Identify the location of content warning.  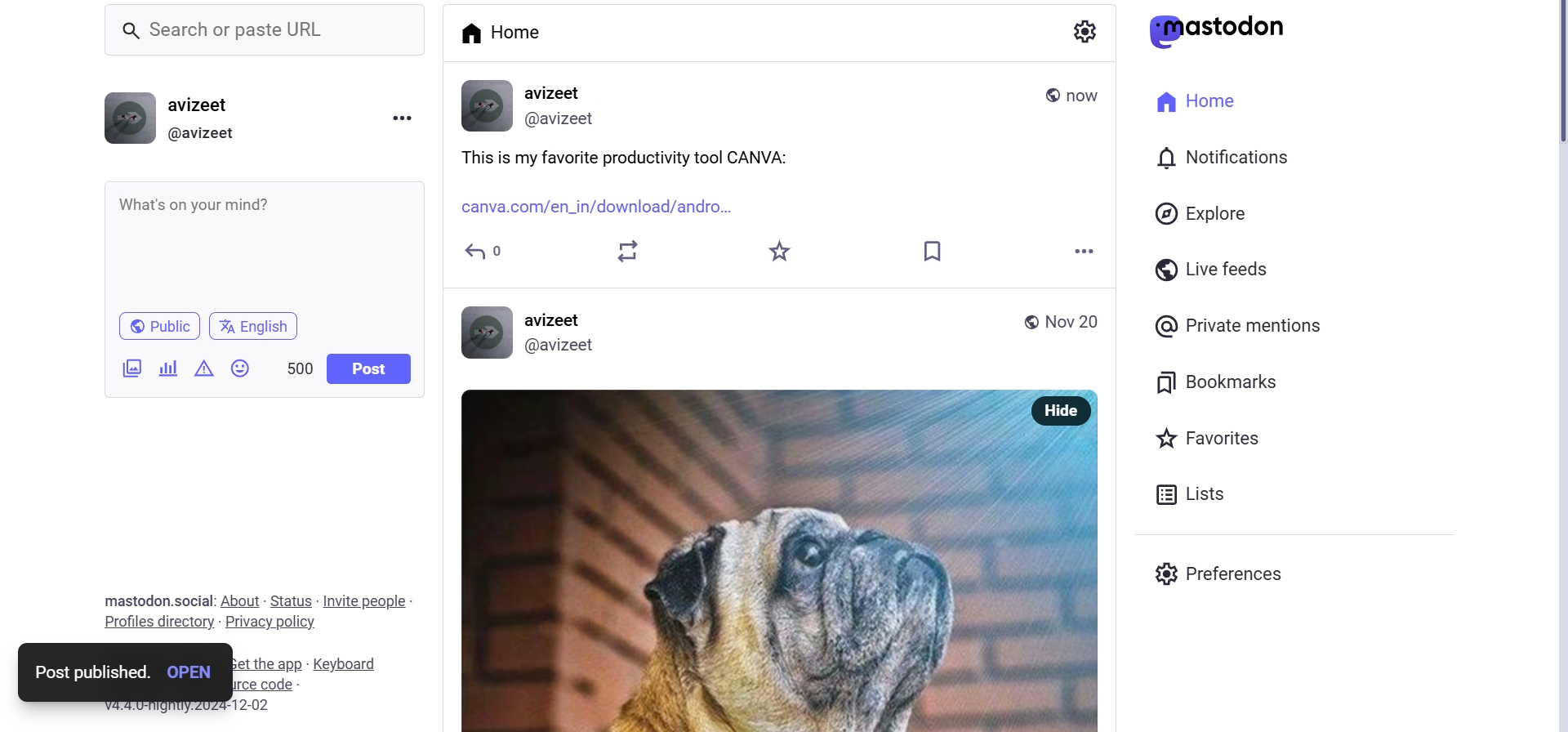
(205, 372).